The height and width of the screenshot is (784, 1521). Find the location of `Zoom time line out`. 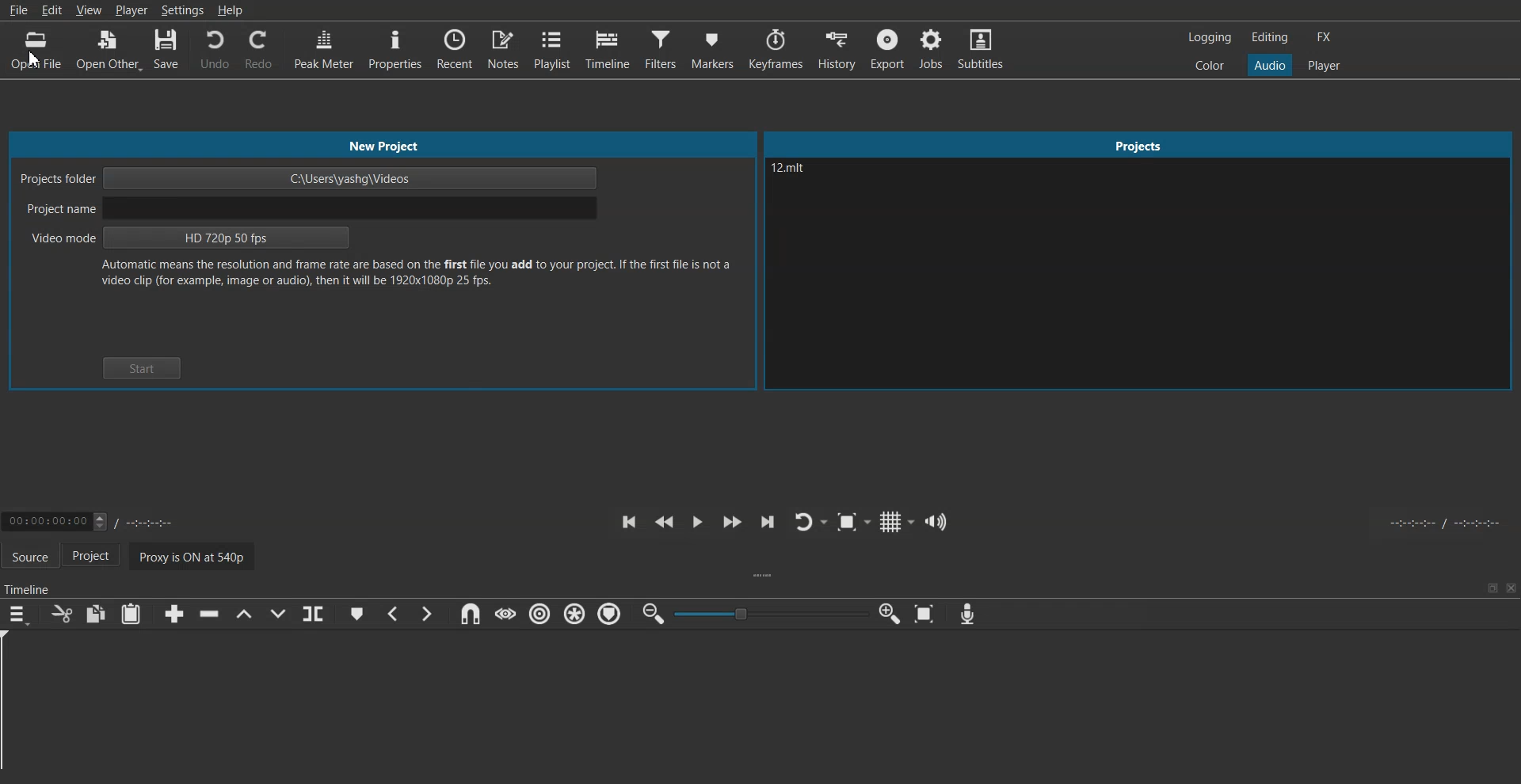

Zoom time line out is located at coordinates (652, 615).